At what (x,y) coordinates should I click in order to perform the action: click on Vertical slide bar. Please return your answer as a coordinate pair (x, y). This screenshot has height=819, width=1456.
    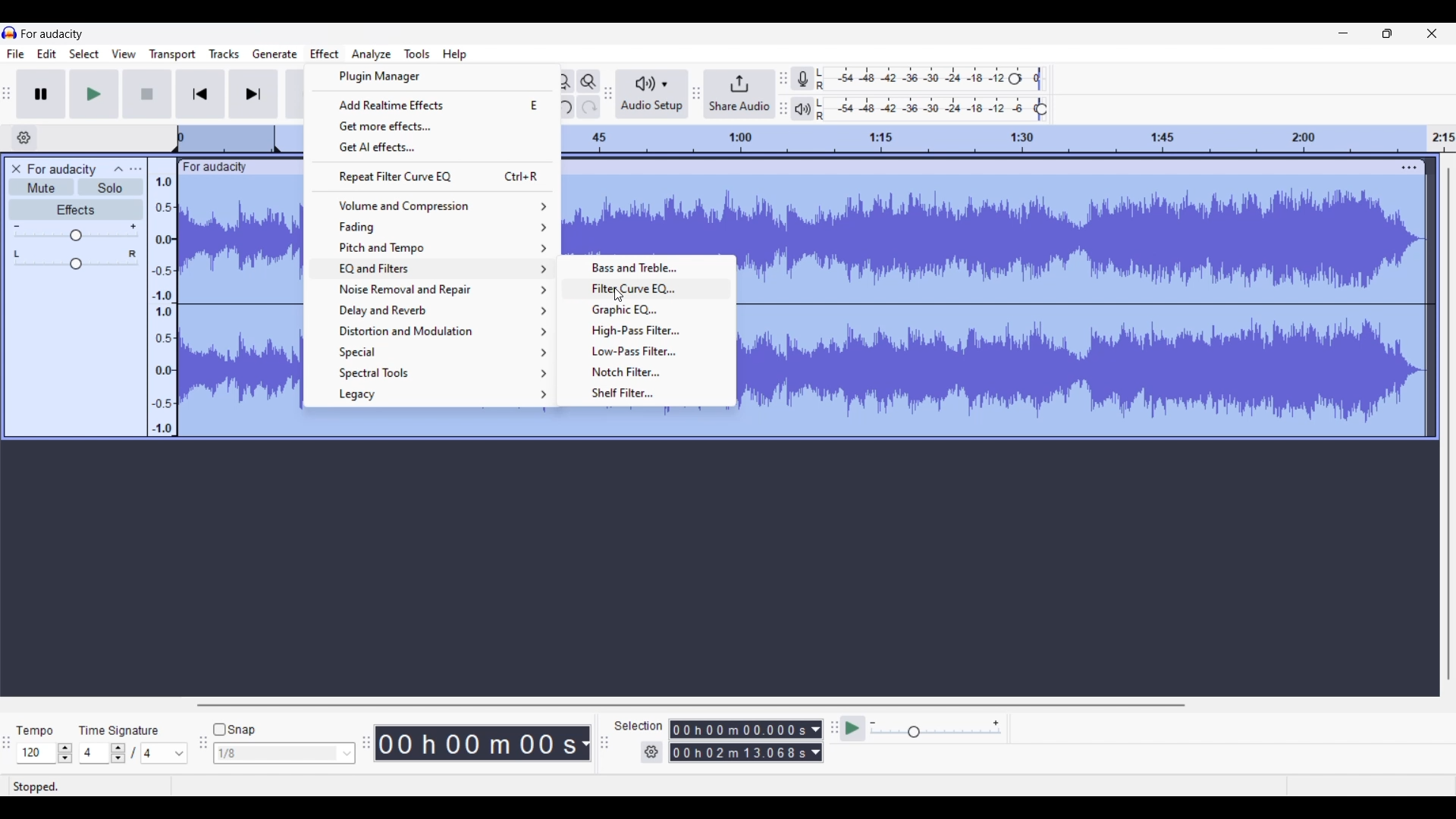
    Looking at the image, I should click on (1448, 423).